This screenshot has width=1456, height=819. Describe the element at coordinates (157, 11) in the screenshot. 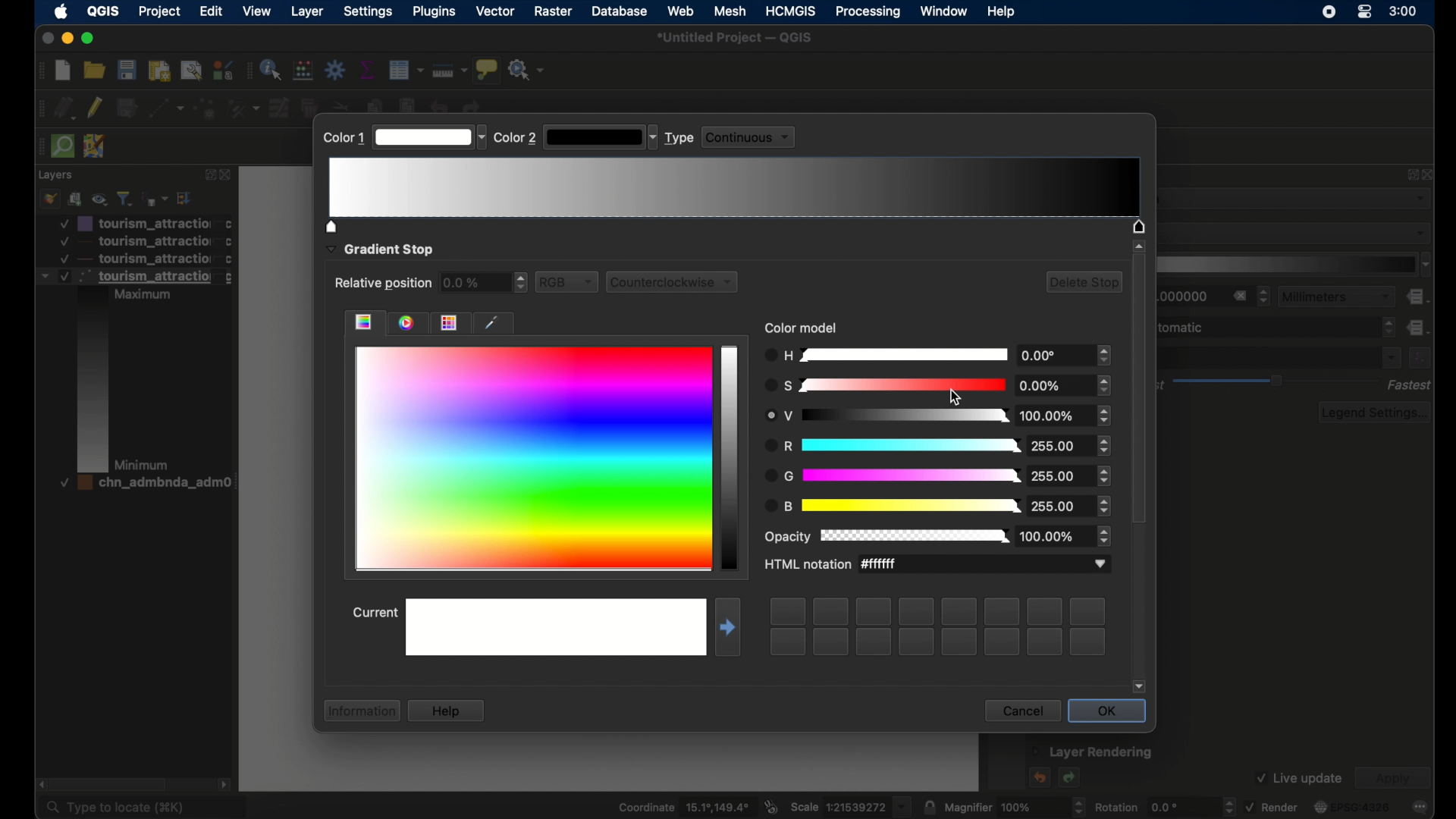

I see `project` at that location.